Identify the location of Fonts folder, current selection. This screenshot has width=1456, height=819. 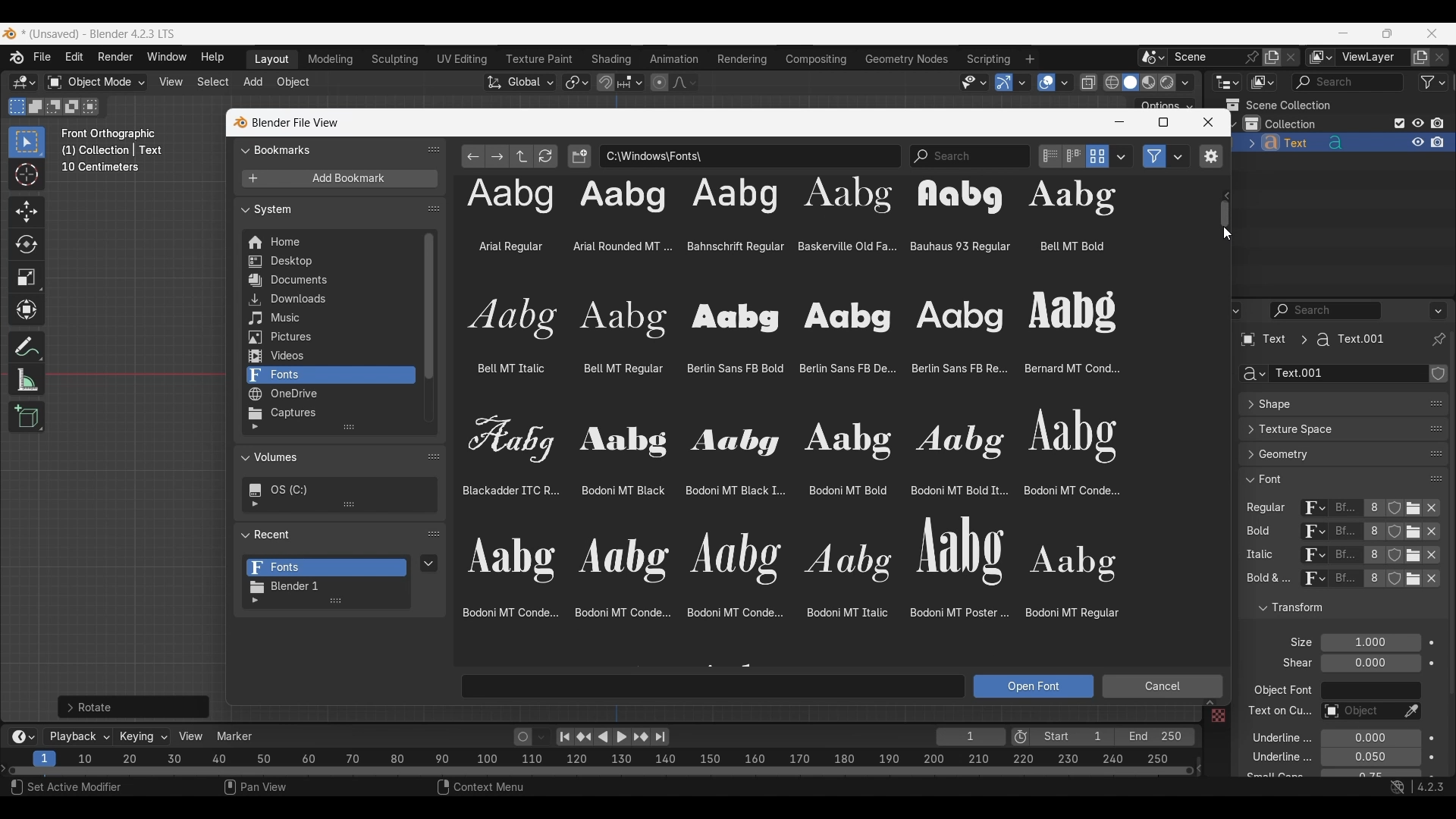
(330, 375).